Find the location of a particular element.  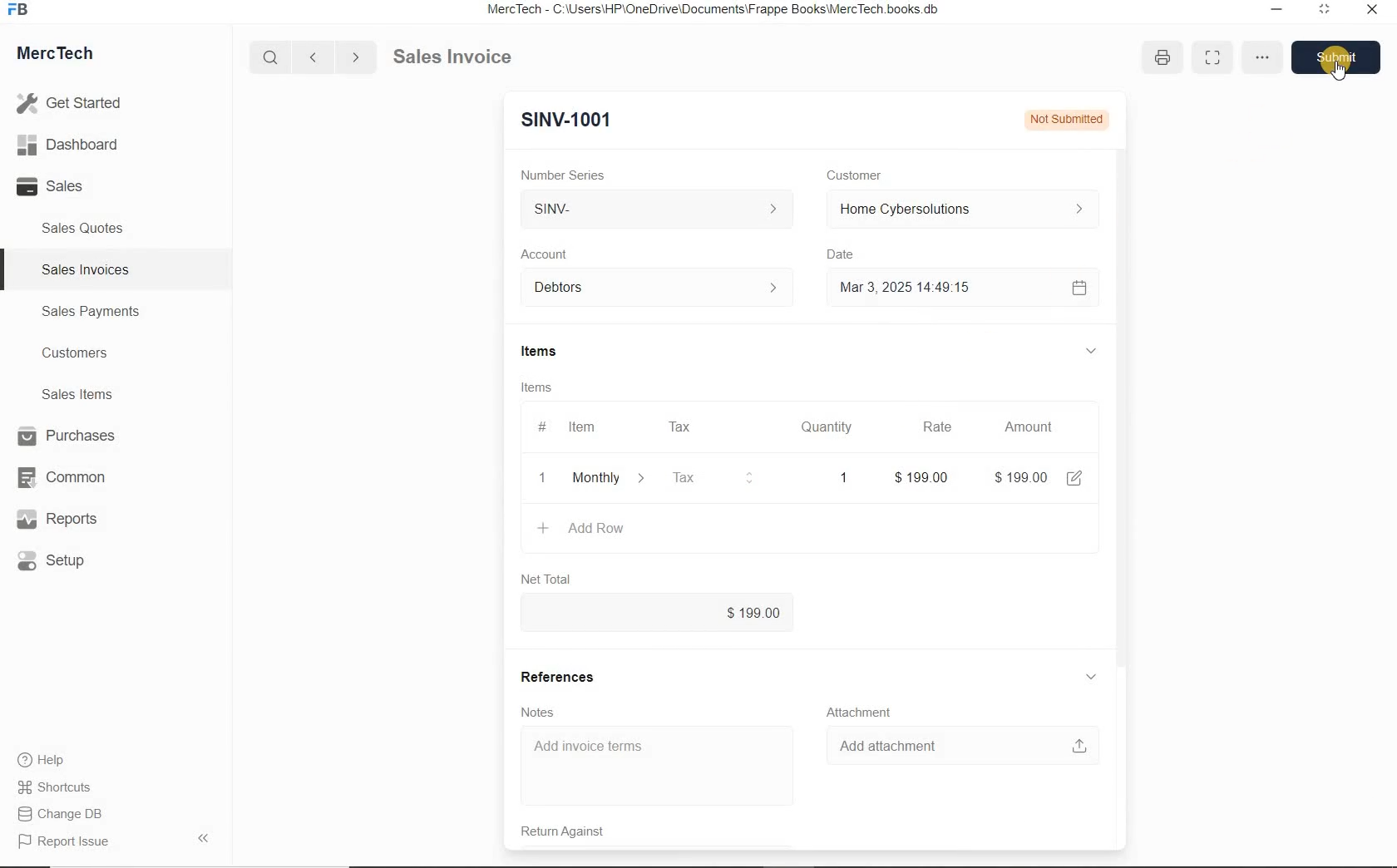

plus is located at coordinates (543, 526).